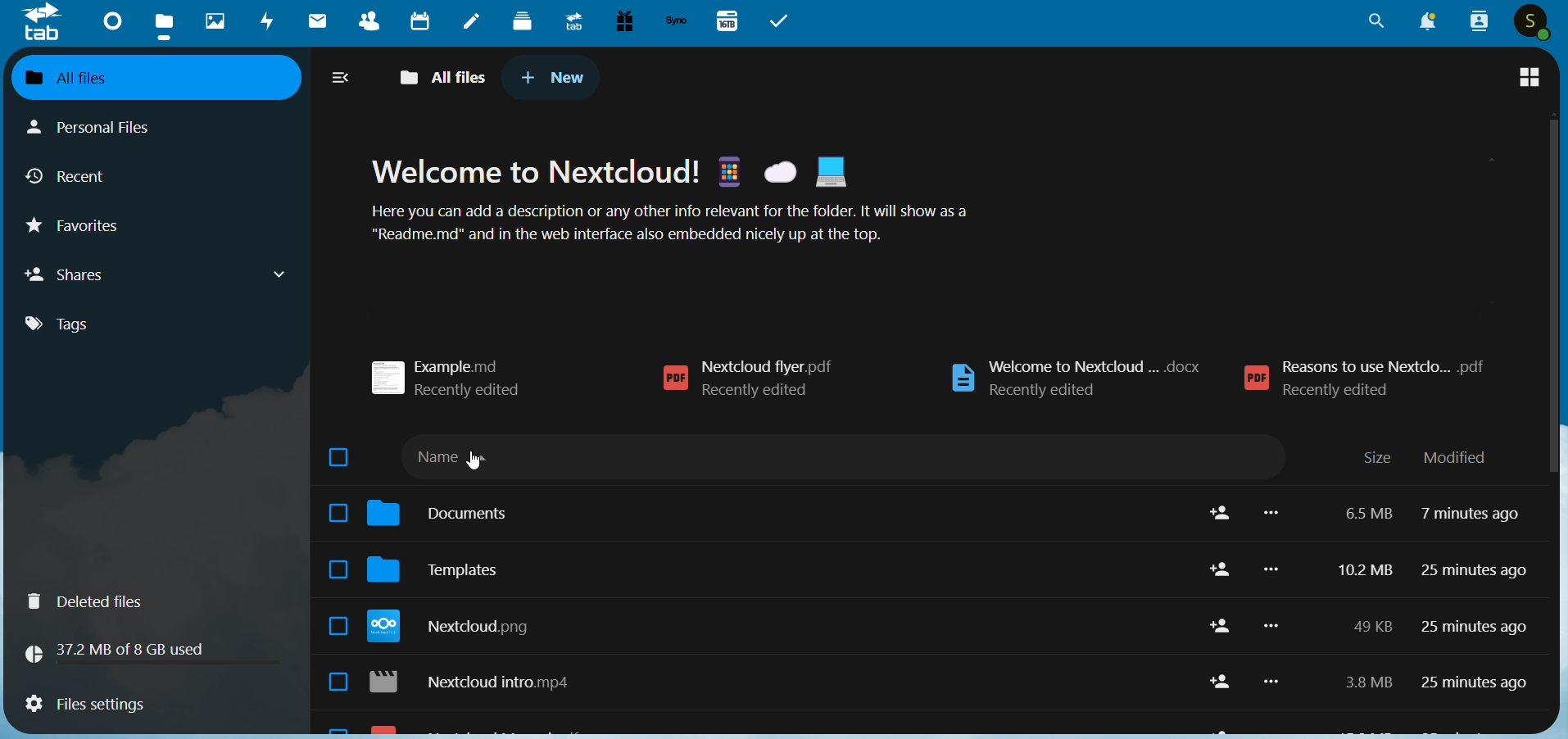 This screenshot has width=1568, height=739. I want to click on All Files, so click(441, 75).